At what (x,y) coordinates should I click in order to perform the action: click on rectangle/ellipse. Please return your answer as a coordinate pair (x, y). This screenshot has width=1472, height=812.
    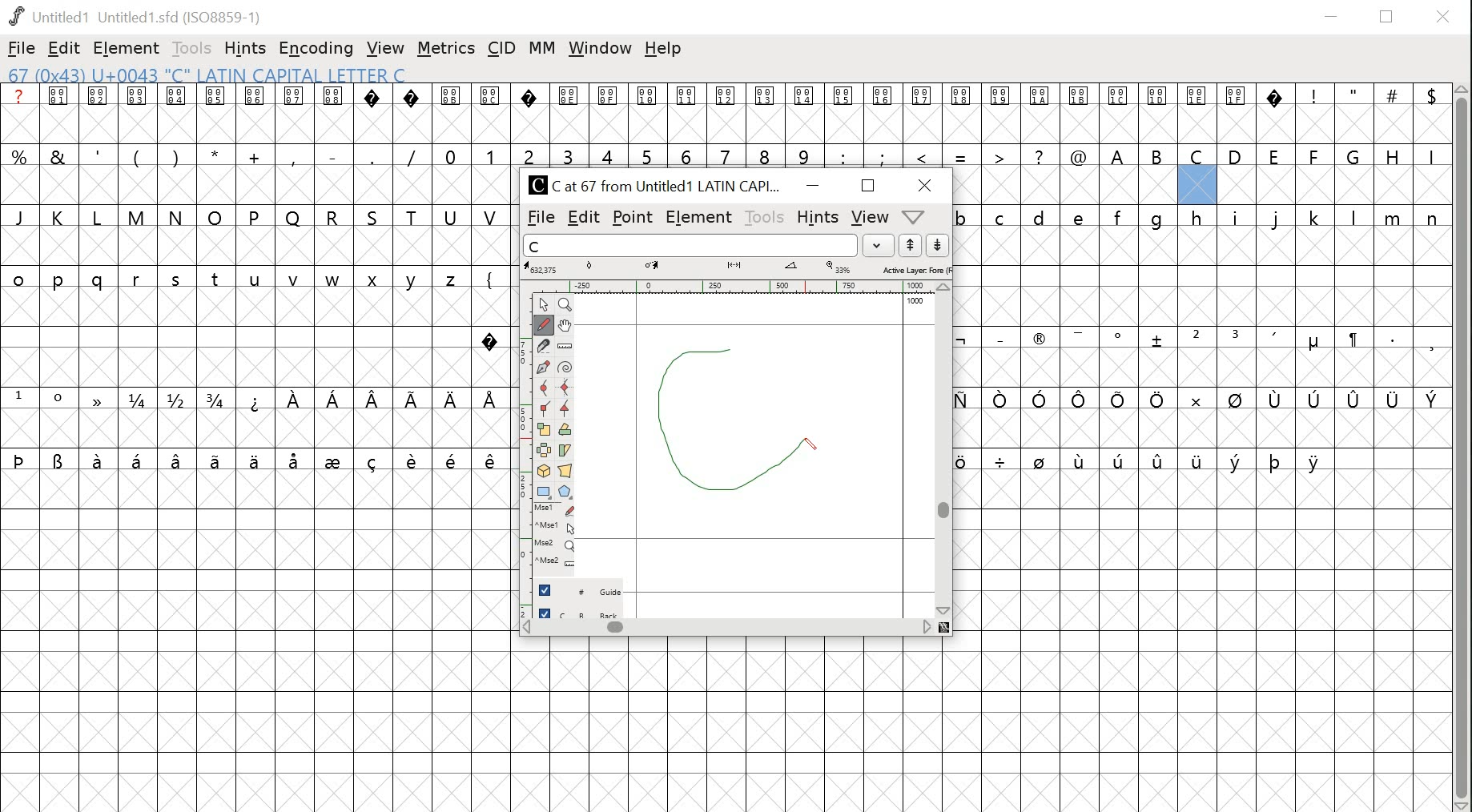
    Looking at the image, I should click on (546, 492).